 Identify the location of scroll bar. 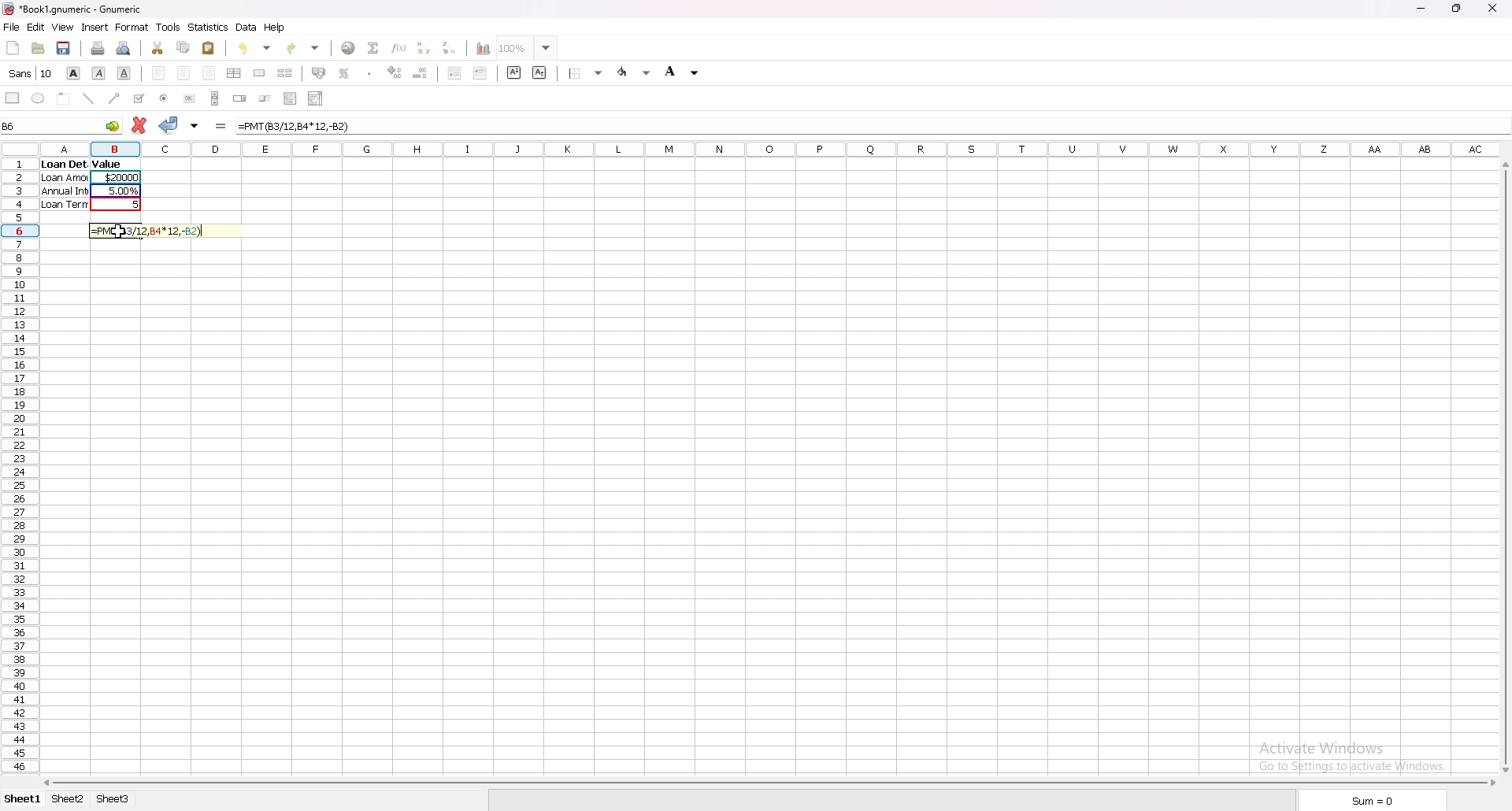
(215, 98).